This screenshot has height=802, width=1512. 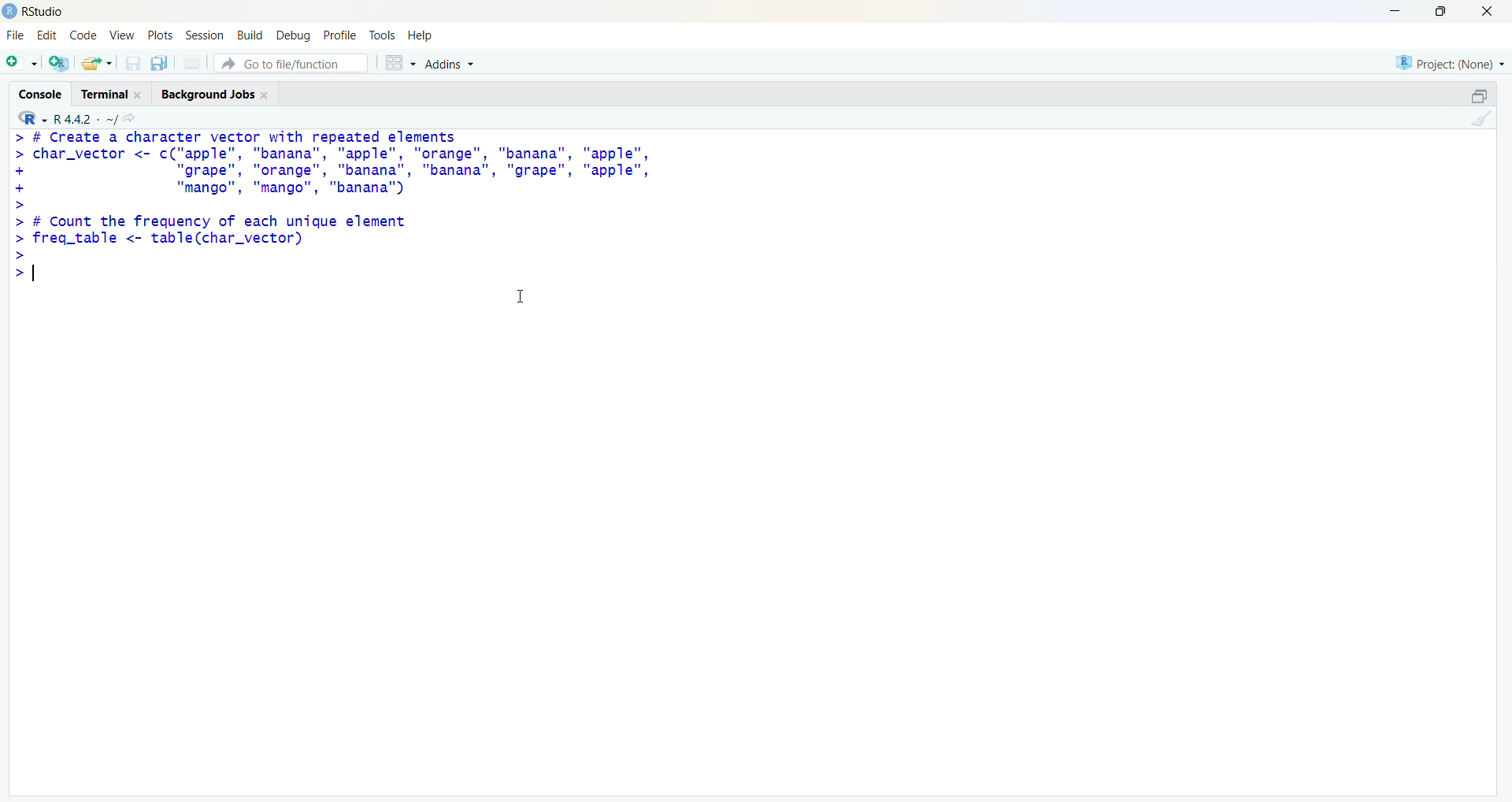 What do you see at coordinates (1488, 12) in the screenshot?
I see `Close` at bounding box center [1488, 12].